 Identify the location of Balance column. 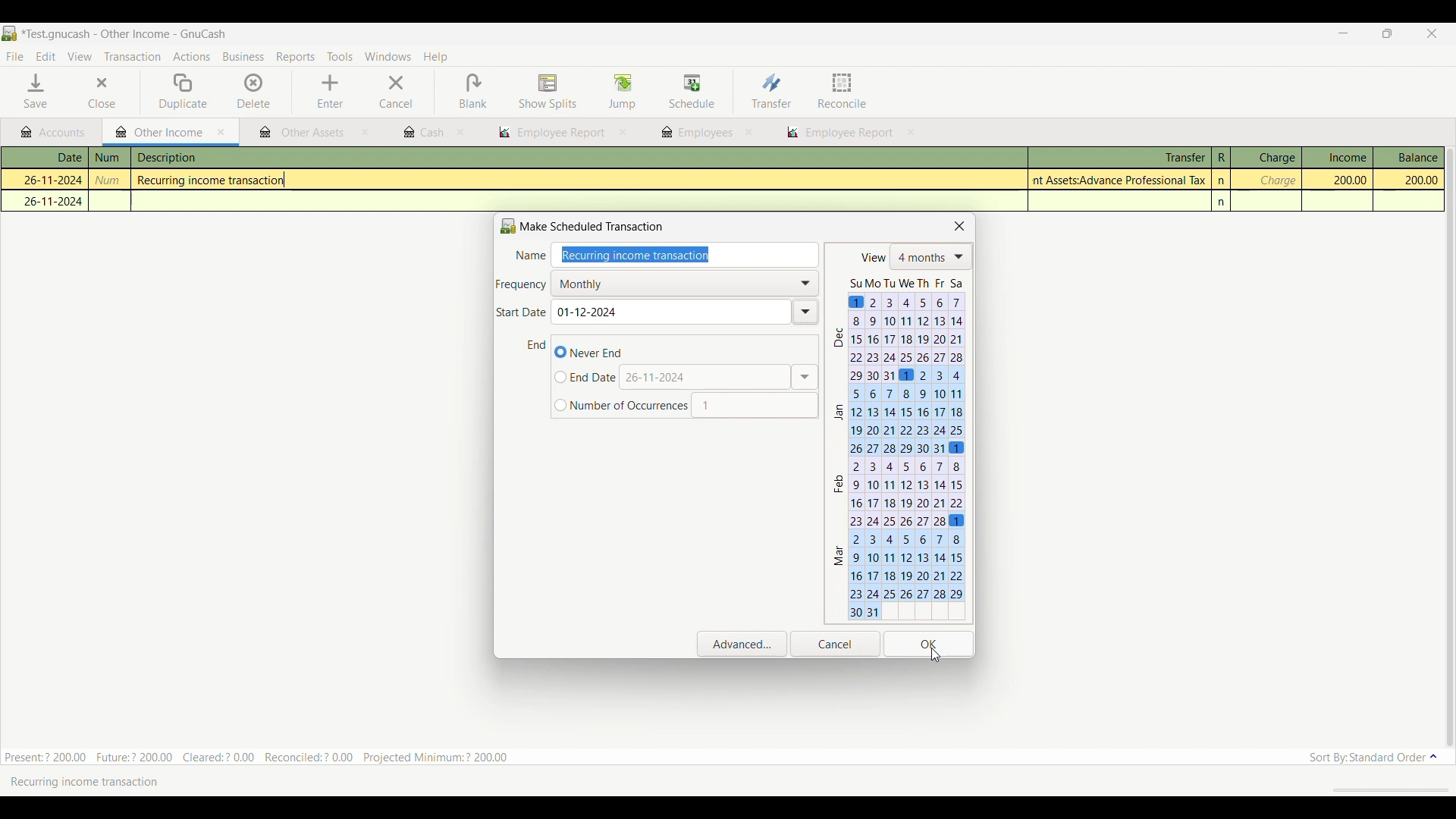
(1409, 157).